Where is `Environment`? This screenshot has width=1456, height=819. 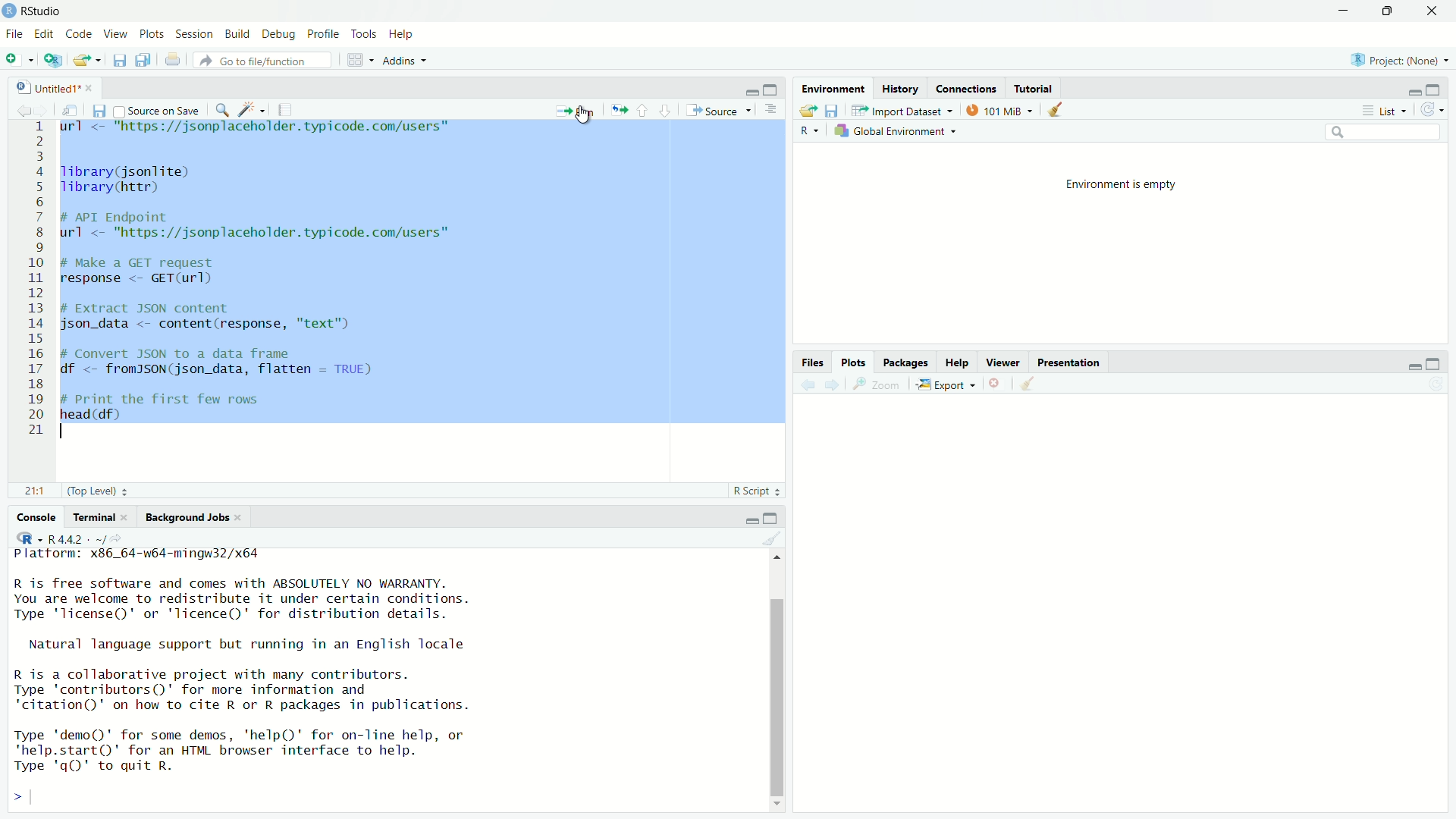 Environment is located at coordinates (833, 90).